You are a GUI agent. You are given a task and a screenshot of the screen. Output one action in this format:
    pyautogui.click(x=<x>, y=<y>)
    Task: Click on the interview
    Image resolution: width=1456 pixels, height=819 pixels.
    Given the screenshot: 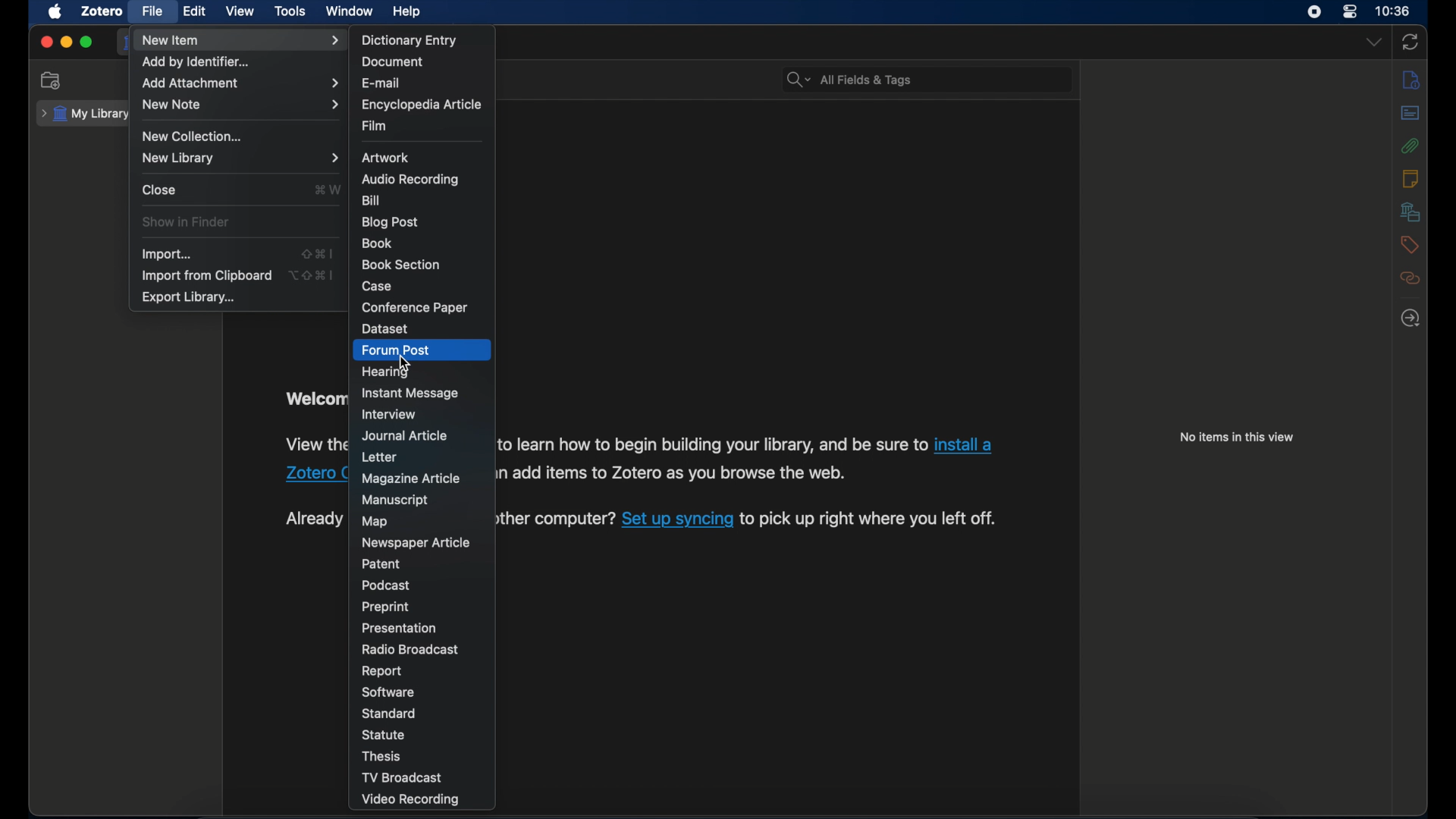 What is the action you would take?
    pyautogui.click(x=390, y=414)
    